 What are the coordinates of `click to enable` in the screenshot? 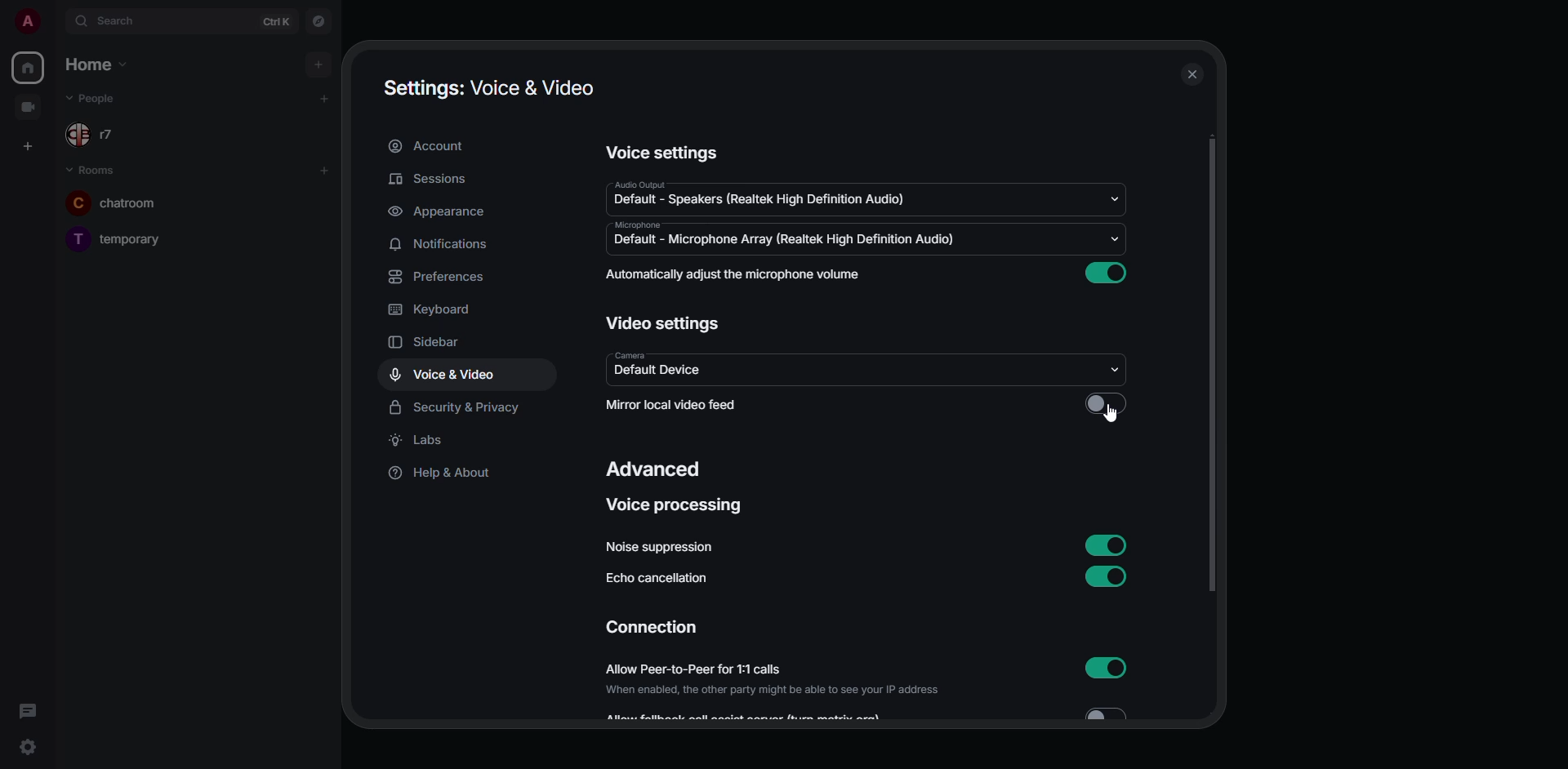 It's located at (1104, 404).